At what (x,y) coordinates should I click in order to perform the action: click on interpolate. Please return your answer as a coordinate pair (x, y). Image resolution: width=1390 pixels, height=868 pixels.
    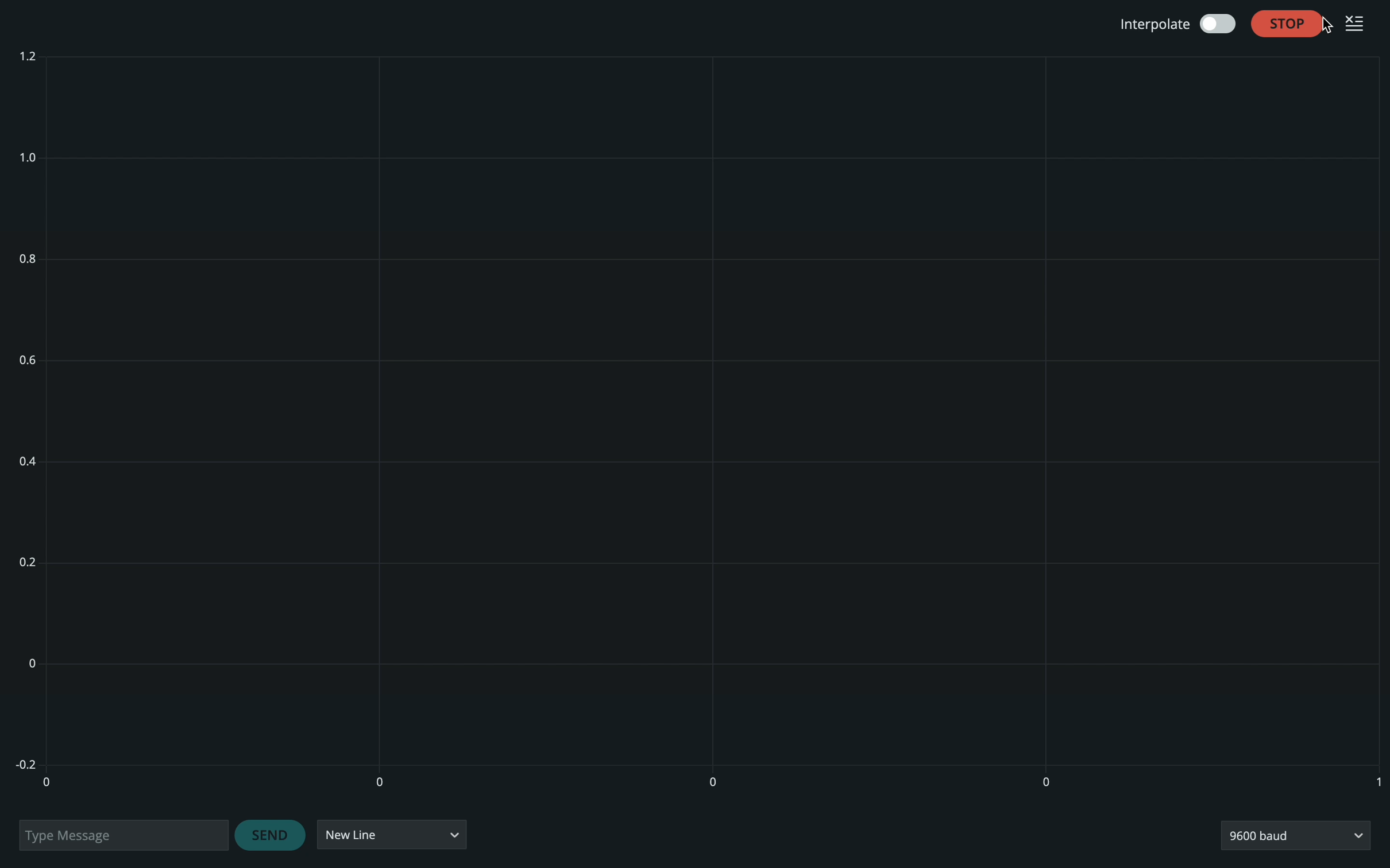
    Looking at the image, I should click on (1173, 24).